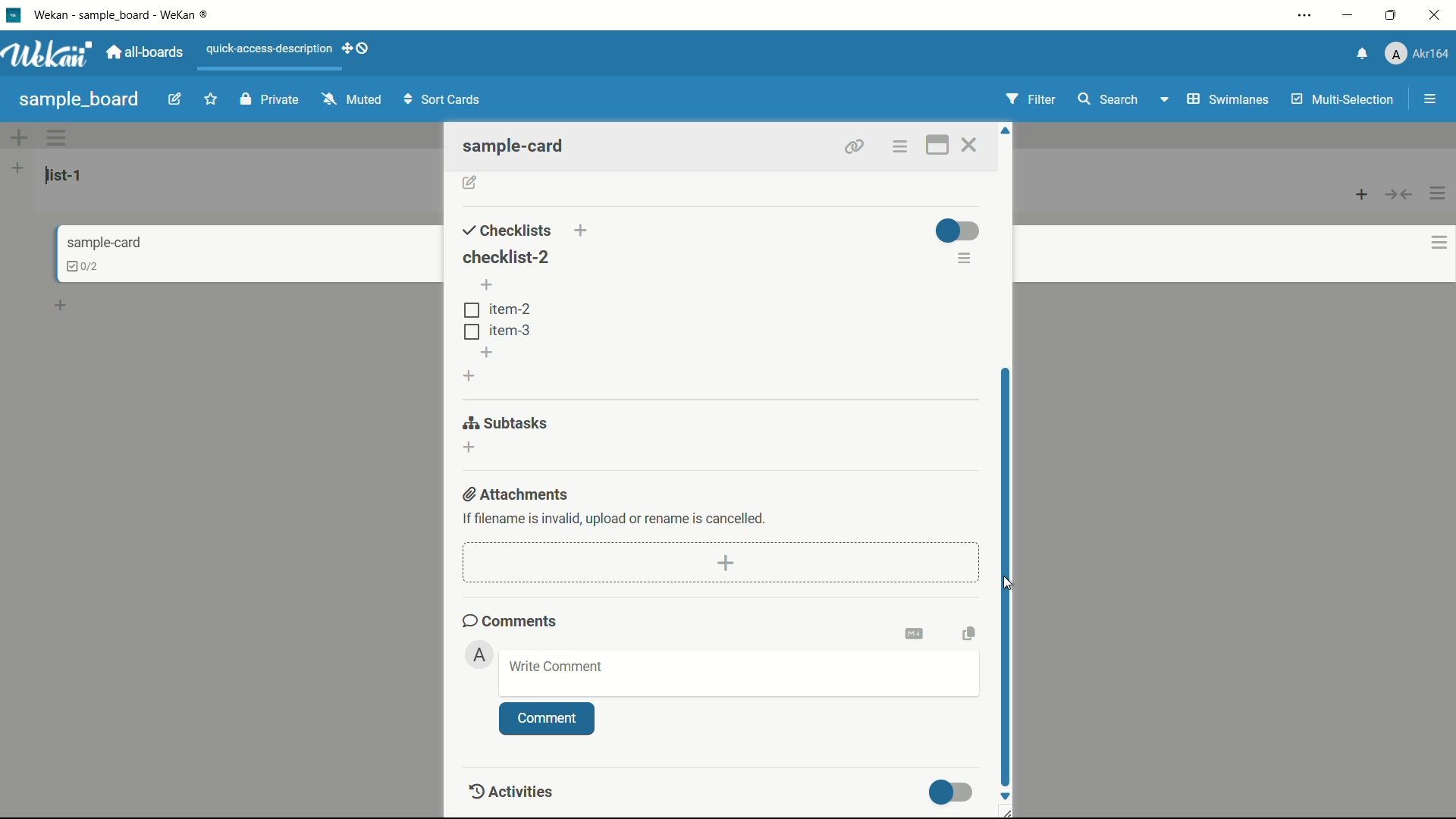 The width and height of the screenshot is (1456, 819). Describe the element at coordinates (507, 423) in the screenshot. I see `subtasks` at that location.